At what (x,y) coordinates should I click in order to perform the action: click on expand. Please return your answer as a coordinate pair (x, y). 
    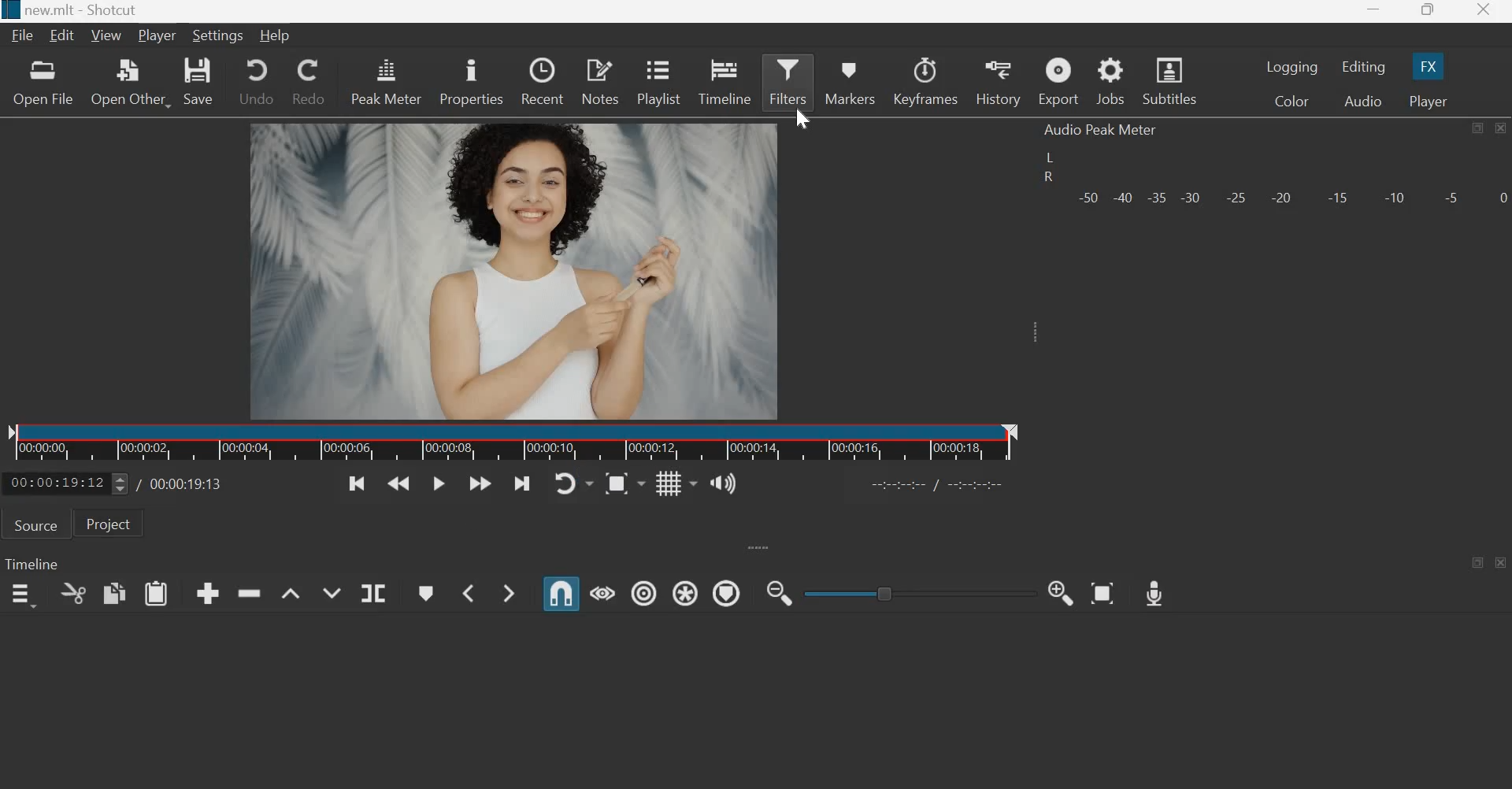
    Looking at the image, I should click on (758, 546).